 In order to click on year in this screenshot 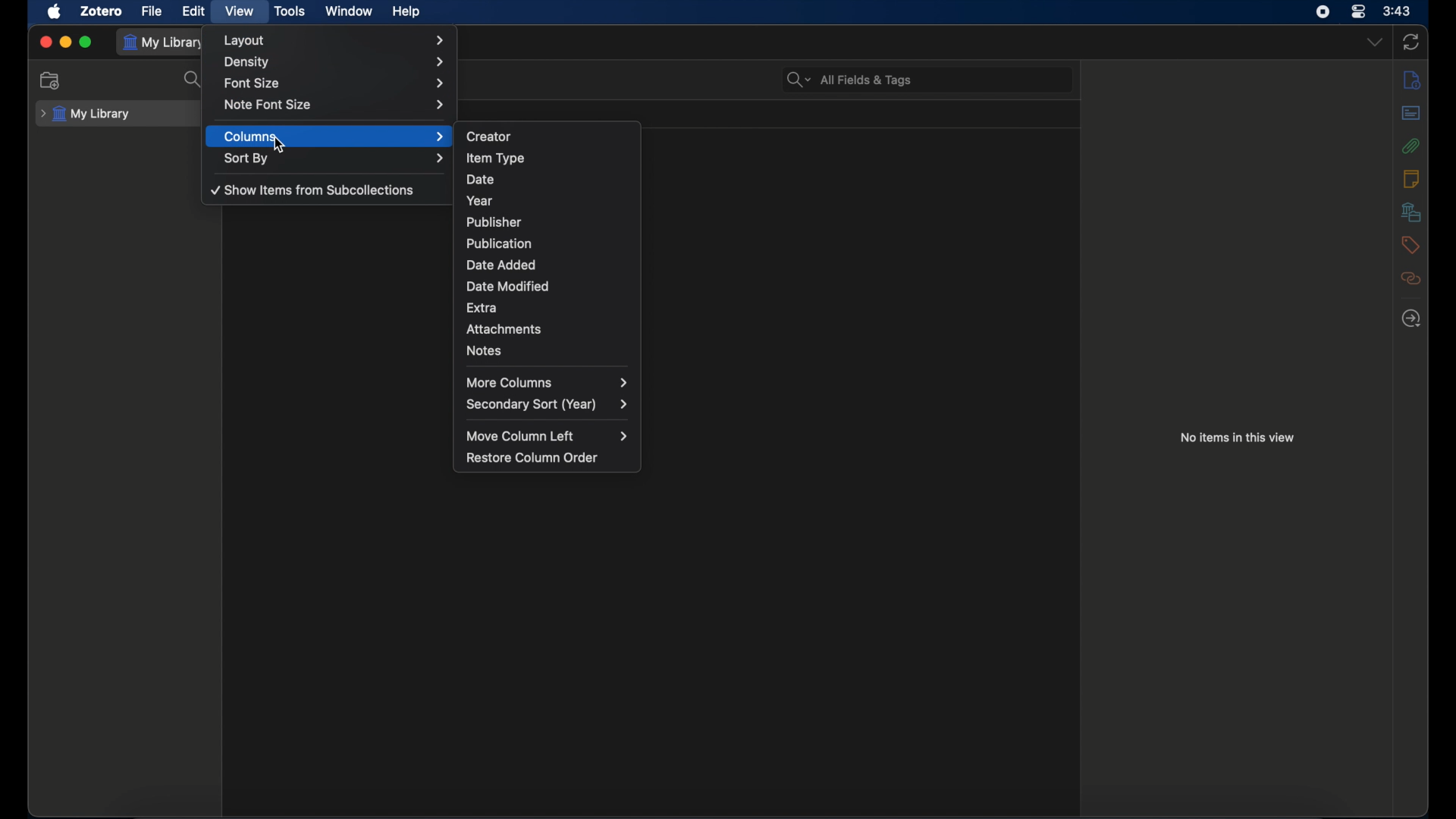, I will do `click(550, 198)`.